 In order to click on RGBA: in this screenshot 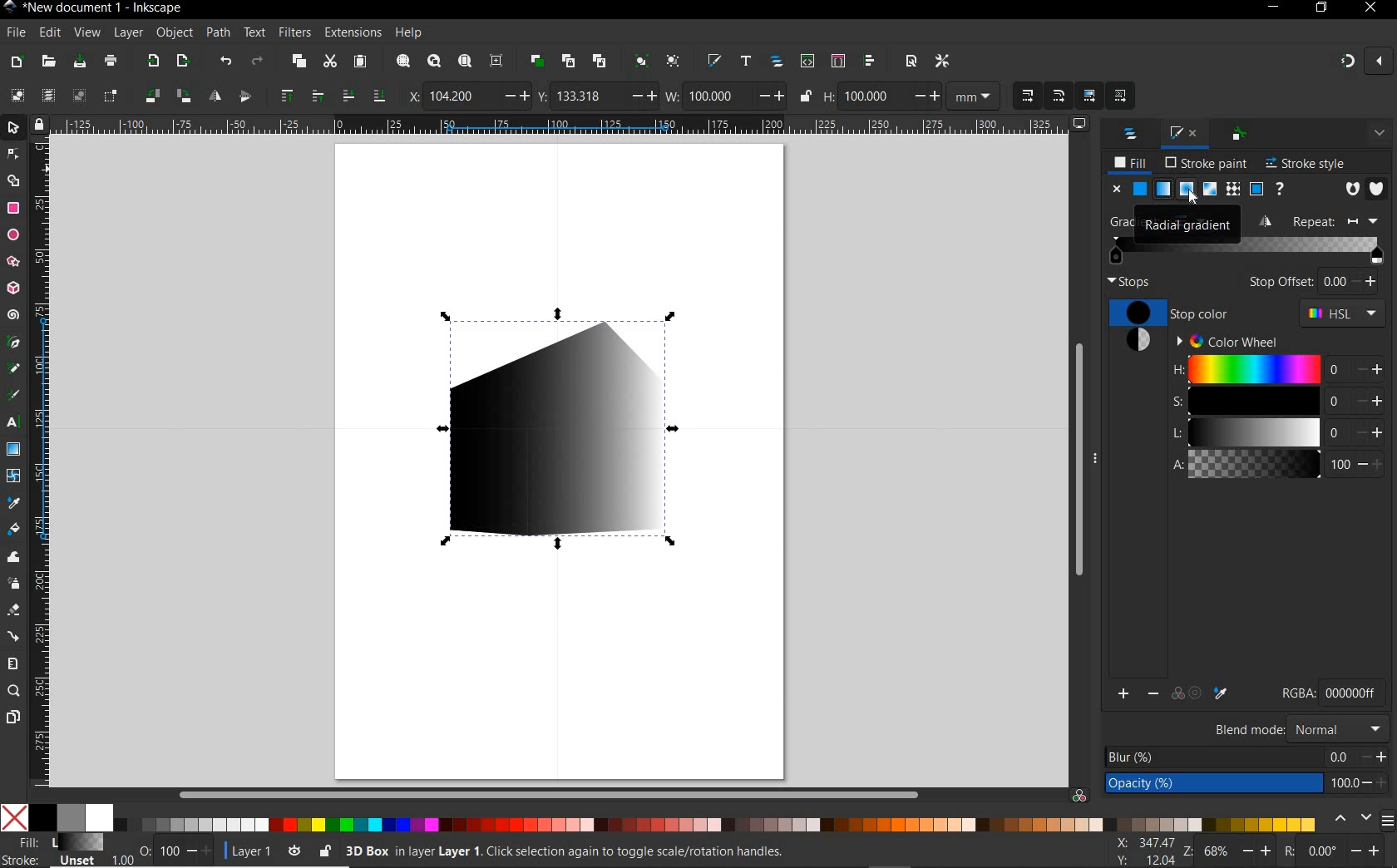, I will do `click(1296, 692)`.